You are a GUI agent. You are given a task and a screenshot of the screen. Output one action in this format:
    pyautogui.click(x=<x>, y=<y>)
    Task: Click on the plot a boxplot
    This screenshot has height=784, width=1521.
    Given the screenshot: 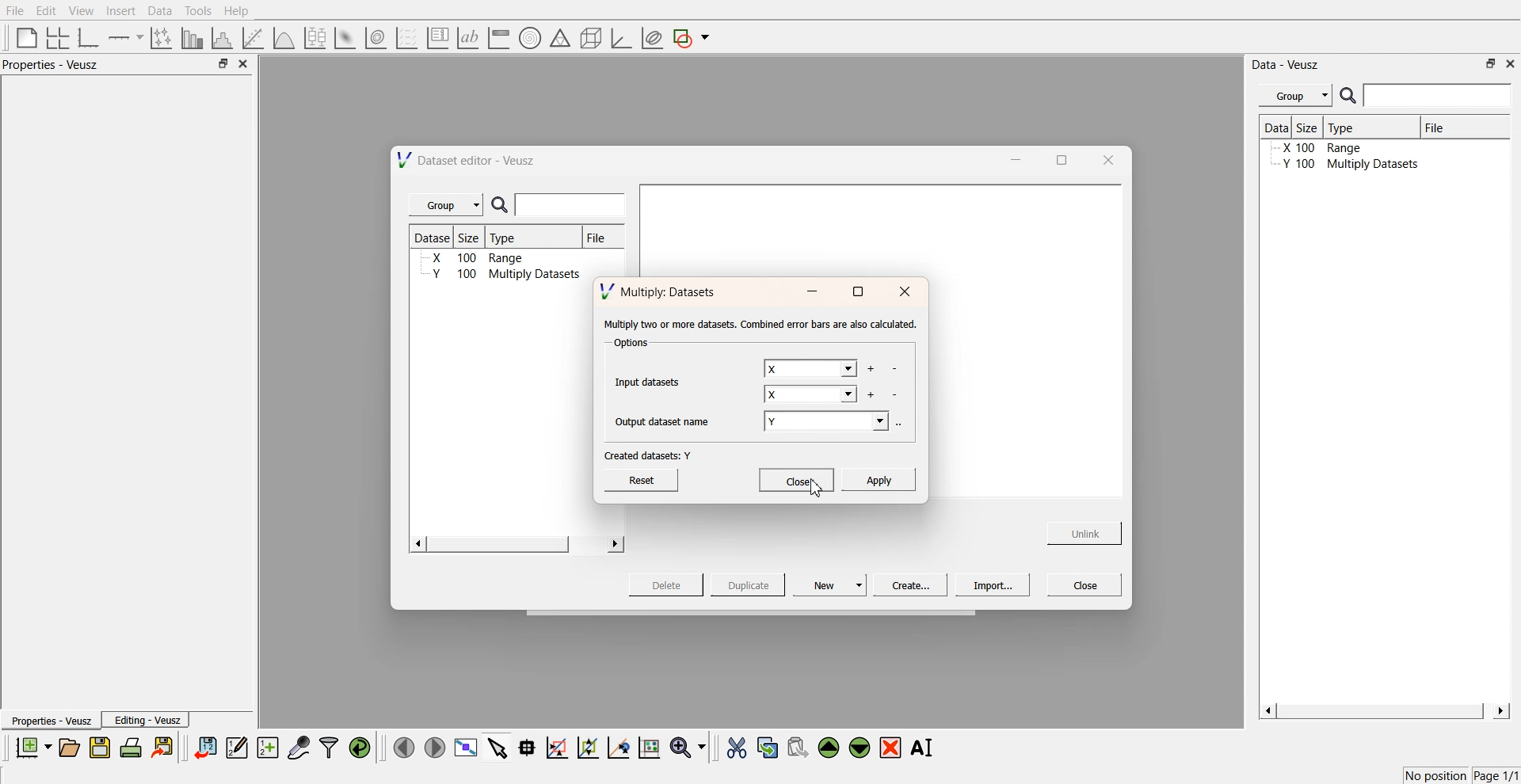 What is the action you would take?
    pyautogui.click(x=314, y=36)
    